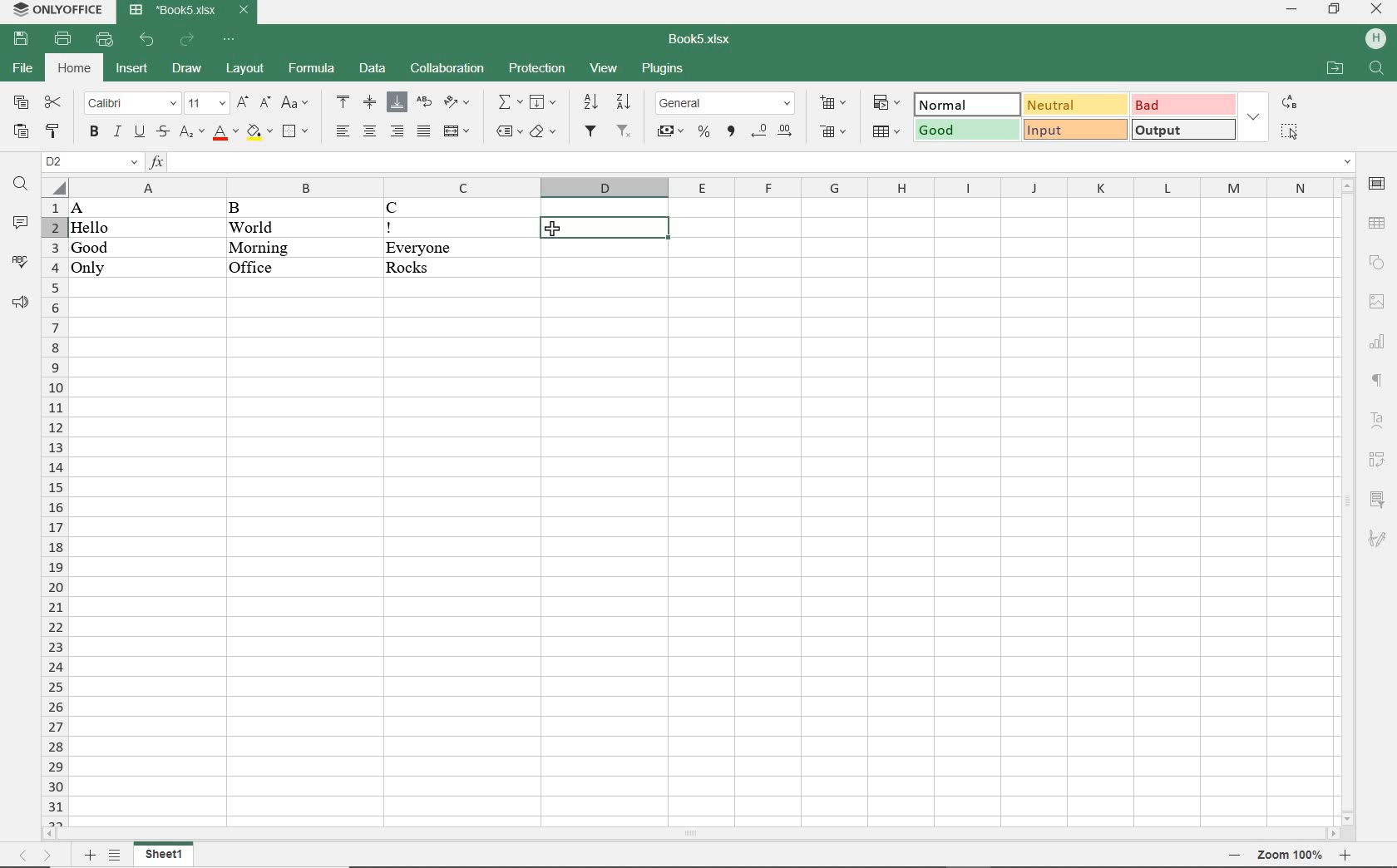  Describe the element at coordinates (161, 134) in the screenshot. I see `strikethrough` at that location.